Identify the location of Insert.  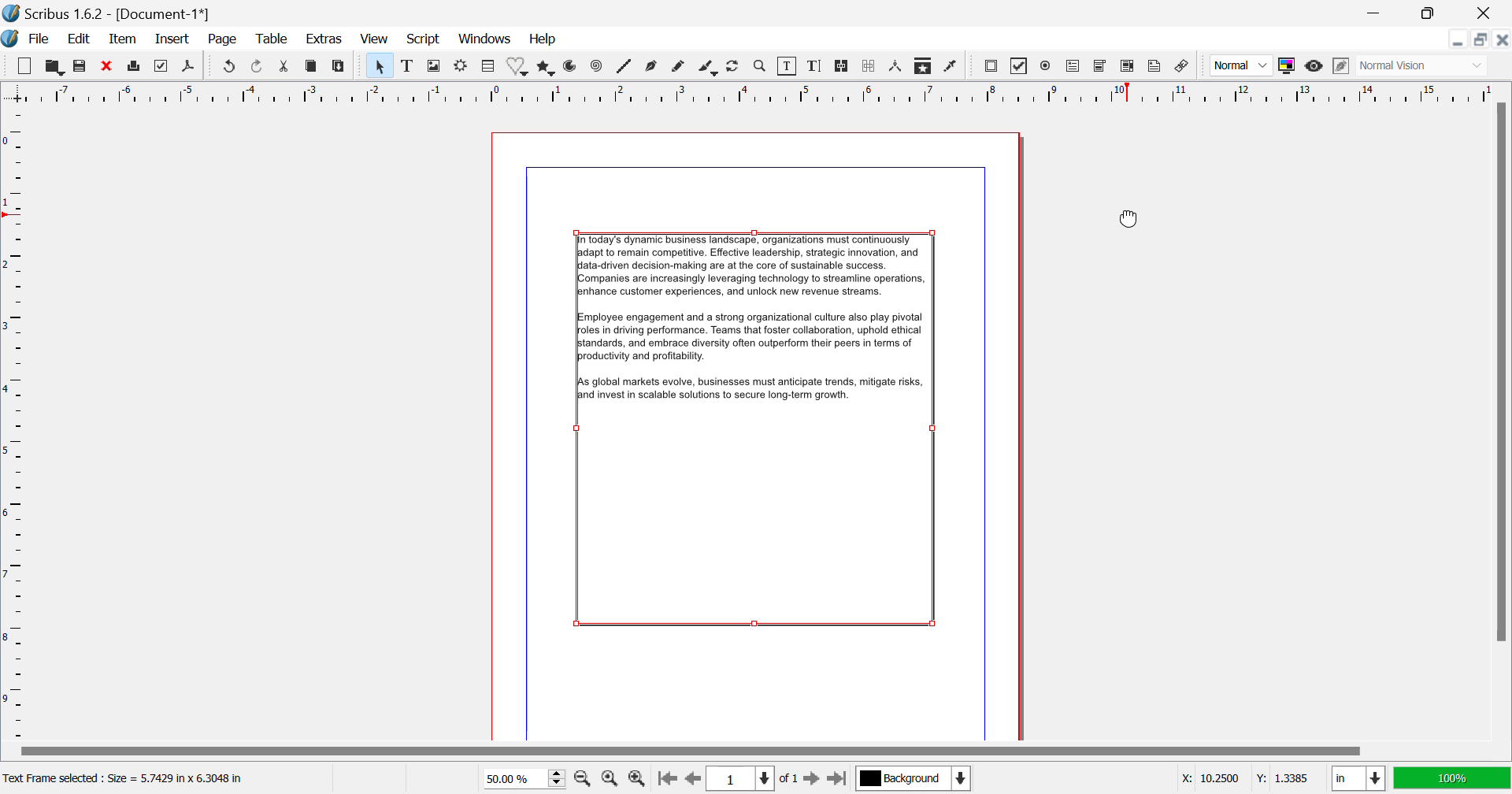
(174, 39).